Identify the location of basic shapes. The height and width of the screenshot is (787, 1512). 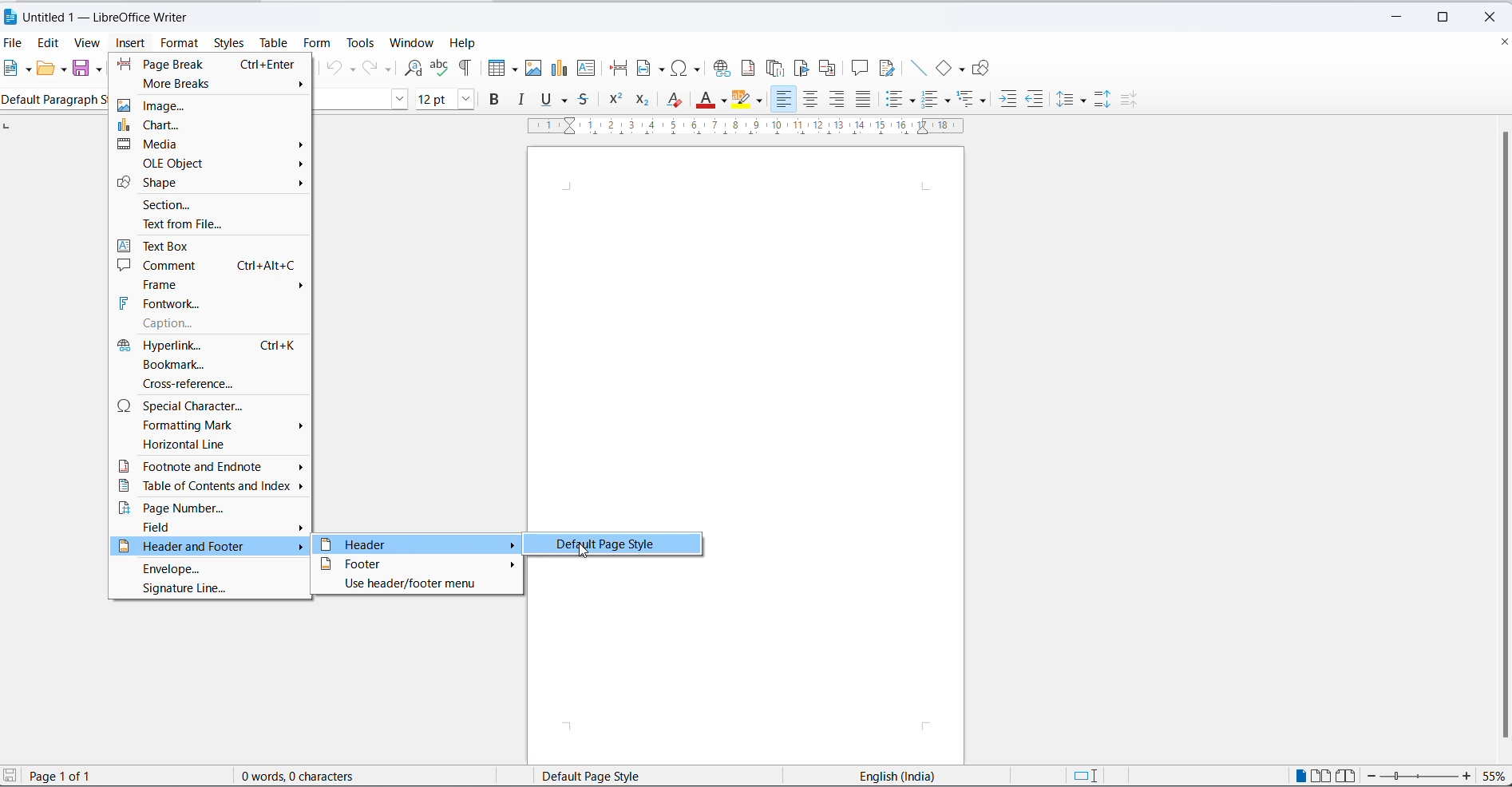
(943, 68).